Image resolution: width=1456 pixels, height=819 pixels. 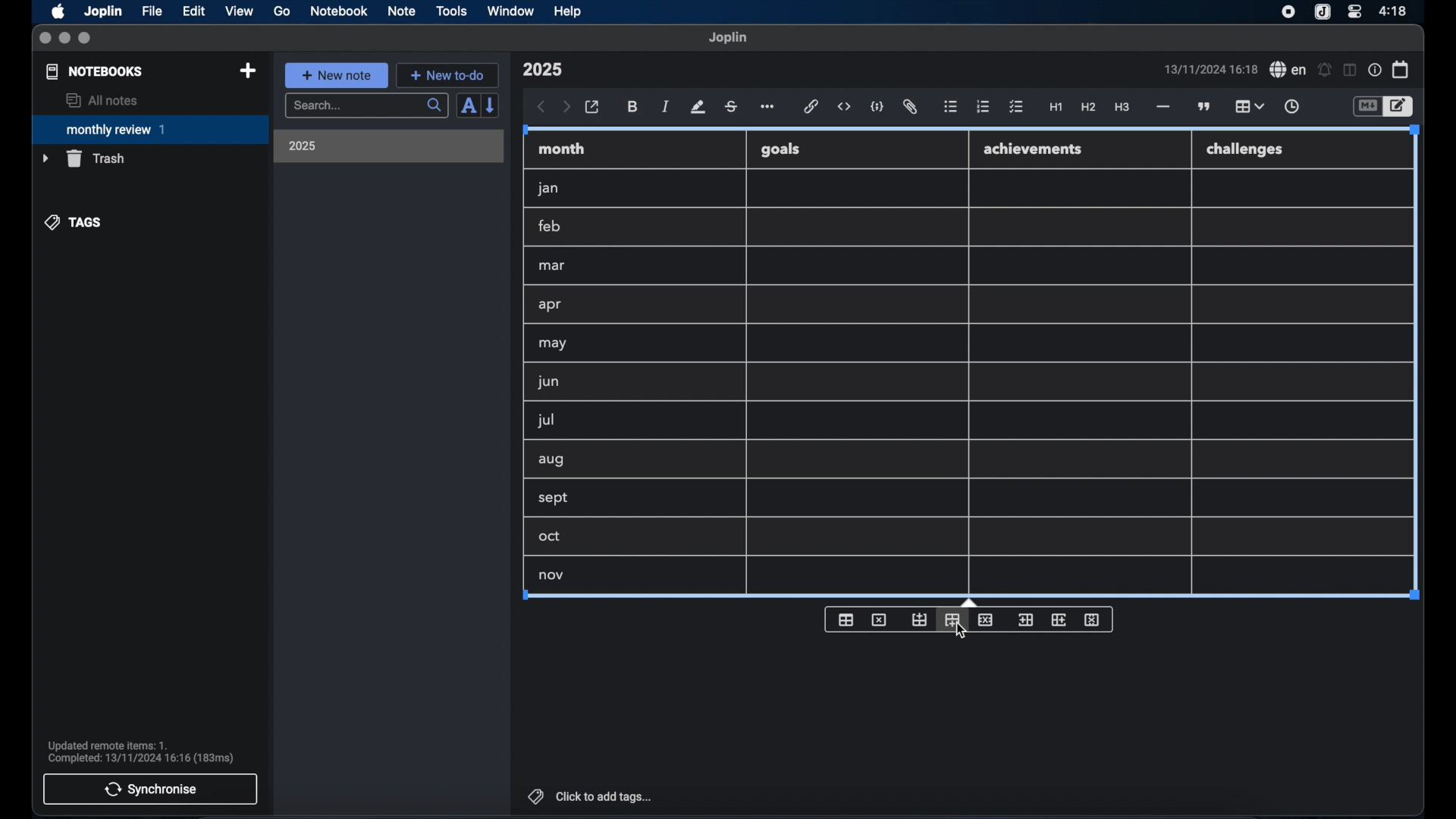 What do you see at coordinates (448, 75) in the screenshot?
I see `new to-do` at bounding box center [448, 75].